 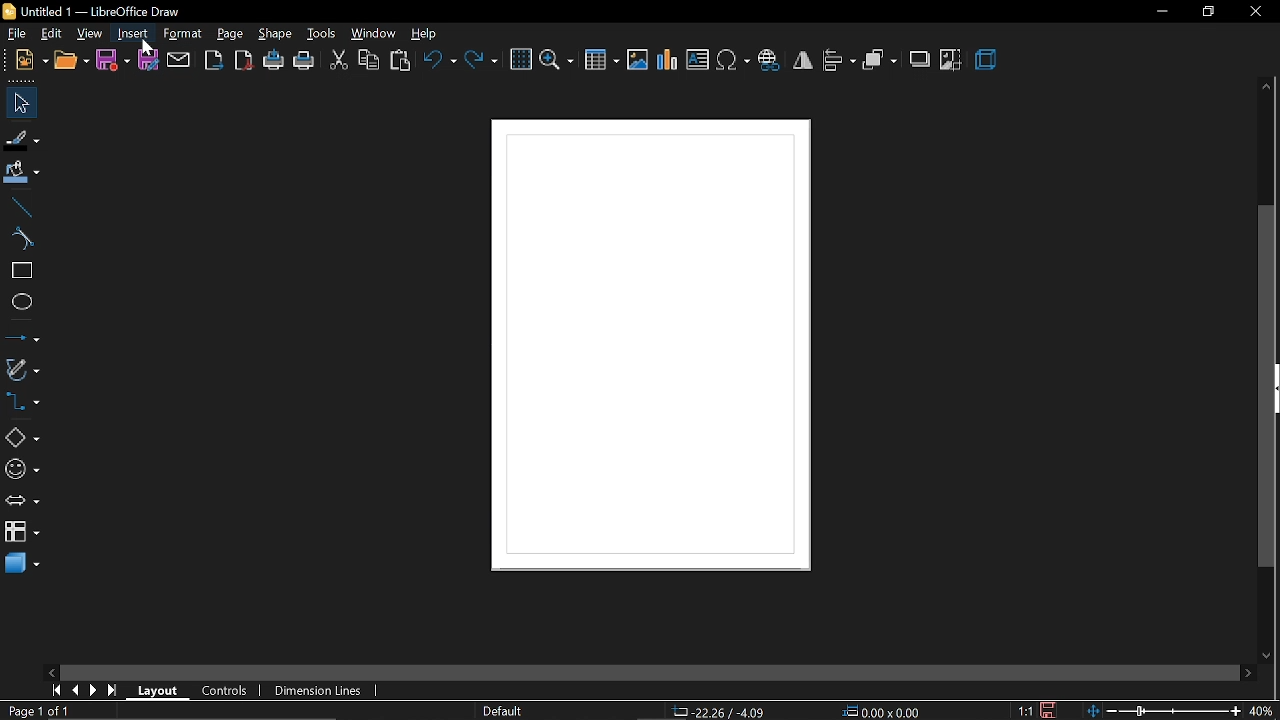 I want to click on insert image, so click(x=638, y=60).